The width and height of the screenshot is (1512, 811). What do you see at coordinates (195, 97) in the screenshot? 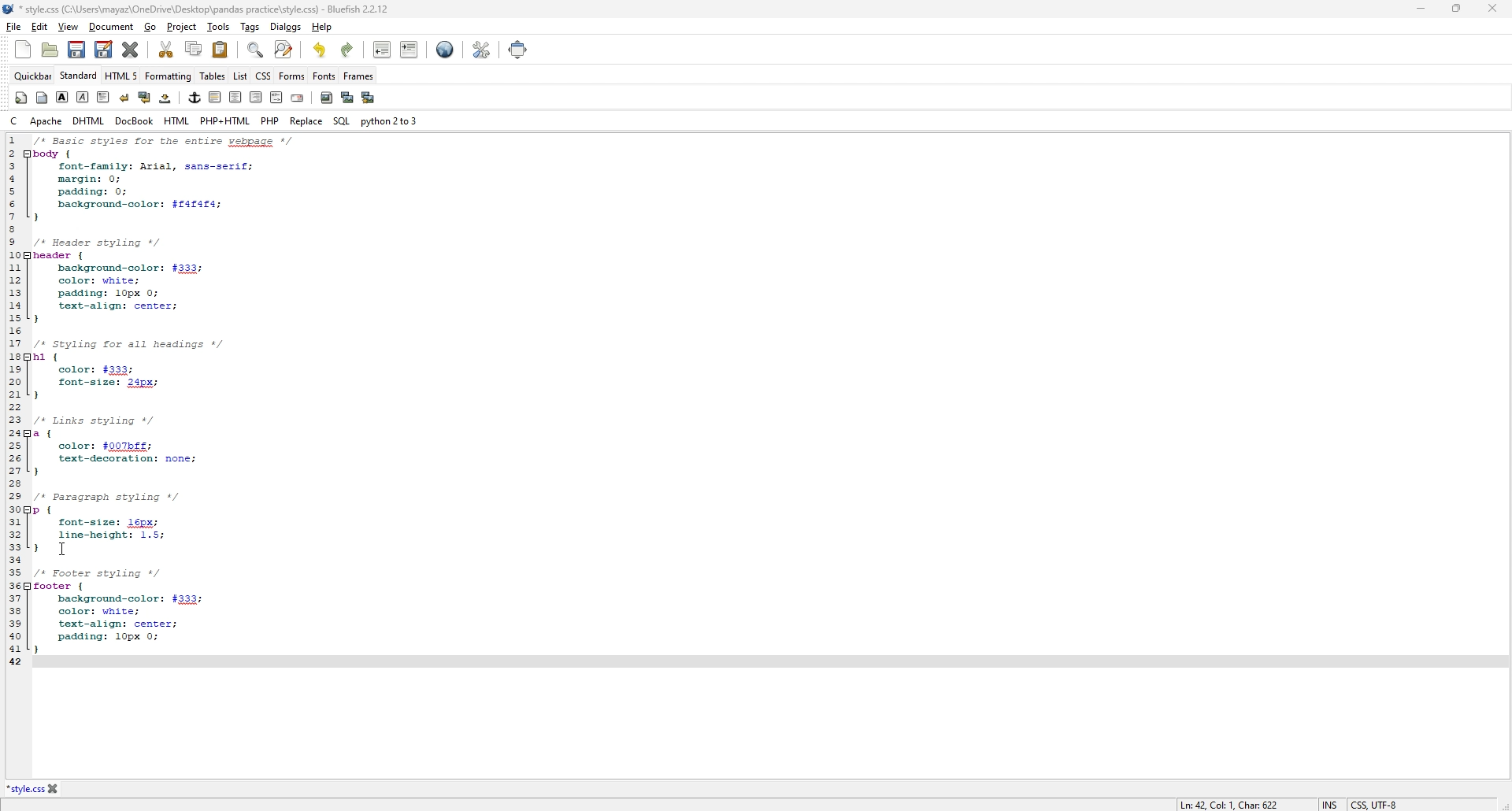
I see `anchor` at bounding box center [195, 97].